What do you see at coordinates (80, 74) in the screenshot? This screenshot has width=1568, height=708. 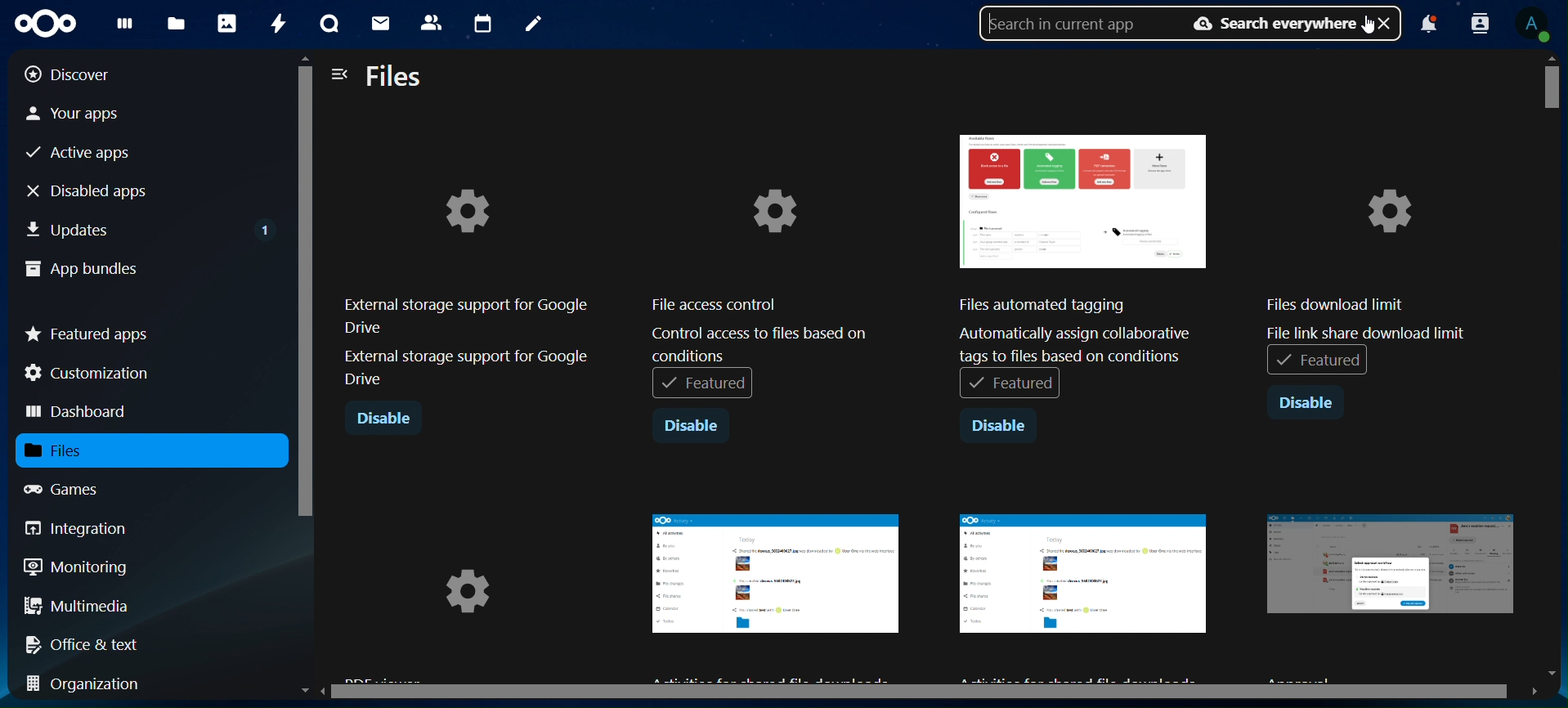 I see `discover` at bounding box center [80, 74].